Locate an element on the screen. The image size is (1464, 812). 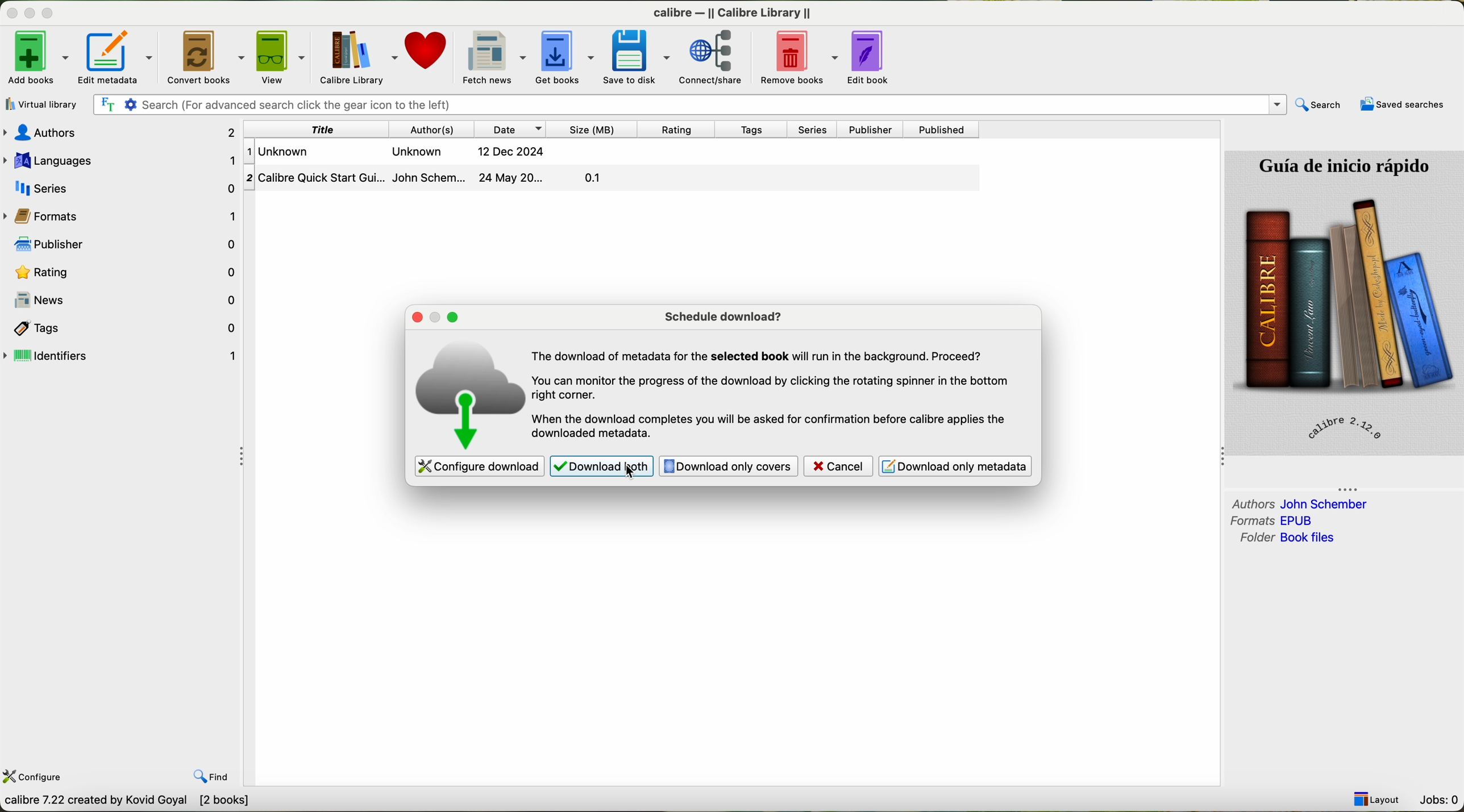
publishers is located at coordinates (128, 247).